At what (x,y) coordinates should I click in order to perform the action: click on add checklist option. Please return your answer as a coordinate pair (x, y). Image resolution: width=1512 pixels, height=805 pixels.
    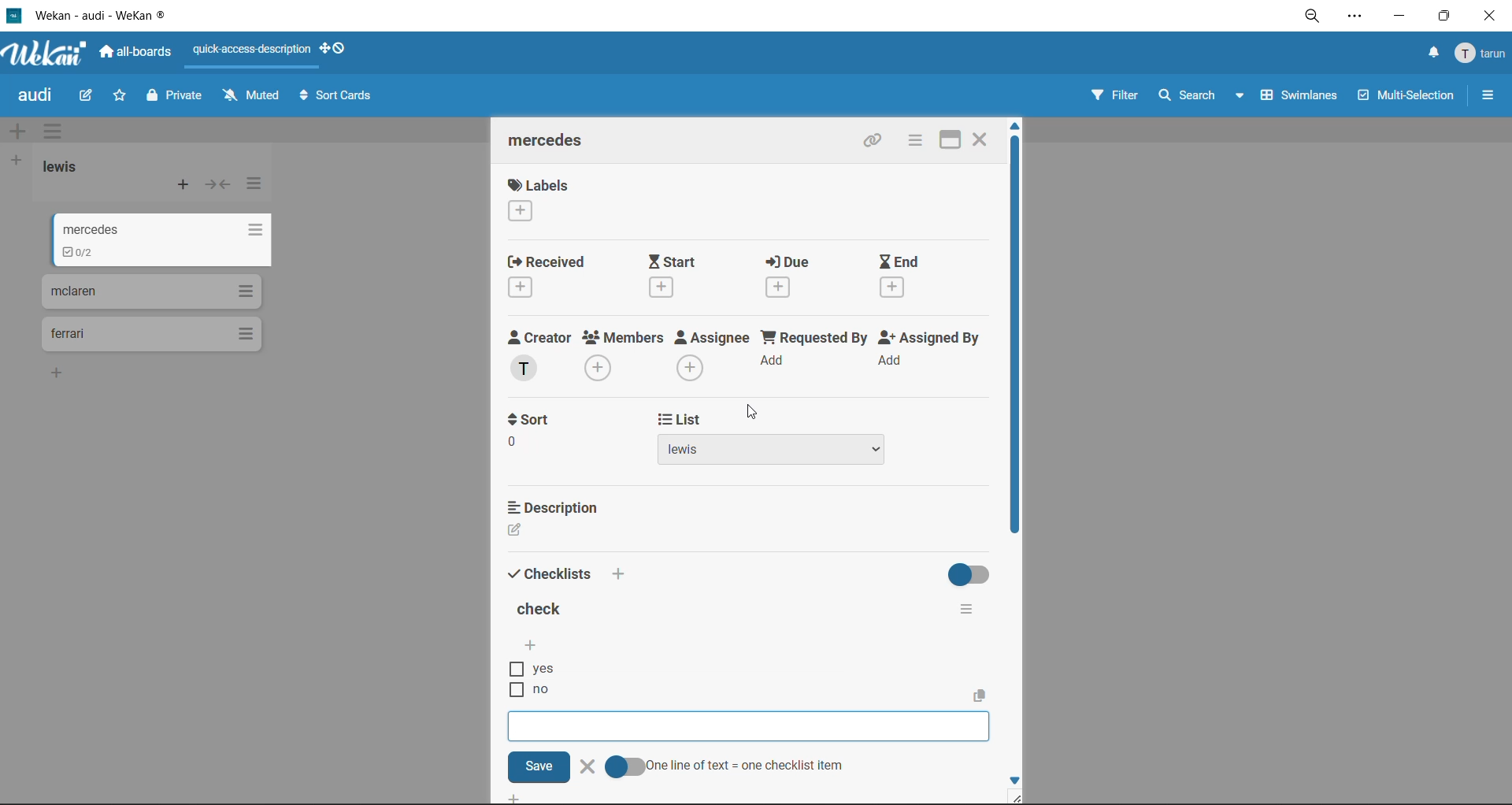
    Looking at the image, I should click on (750, 727).